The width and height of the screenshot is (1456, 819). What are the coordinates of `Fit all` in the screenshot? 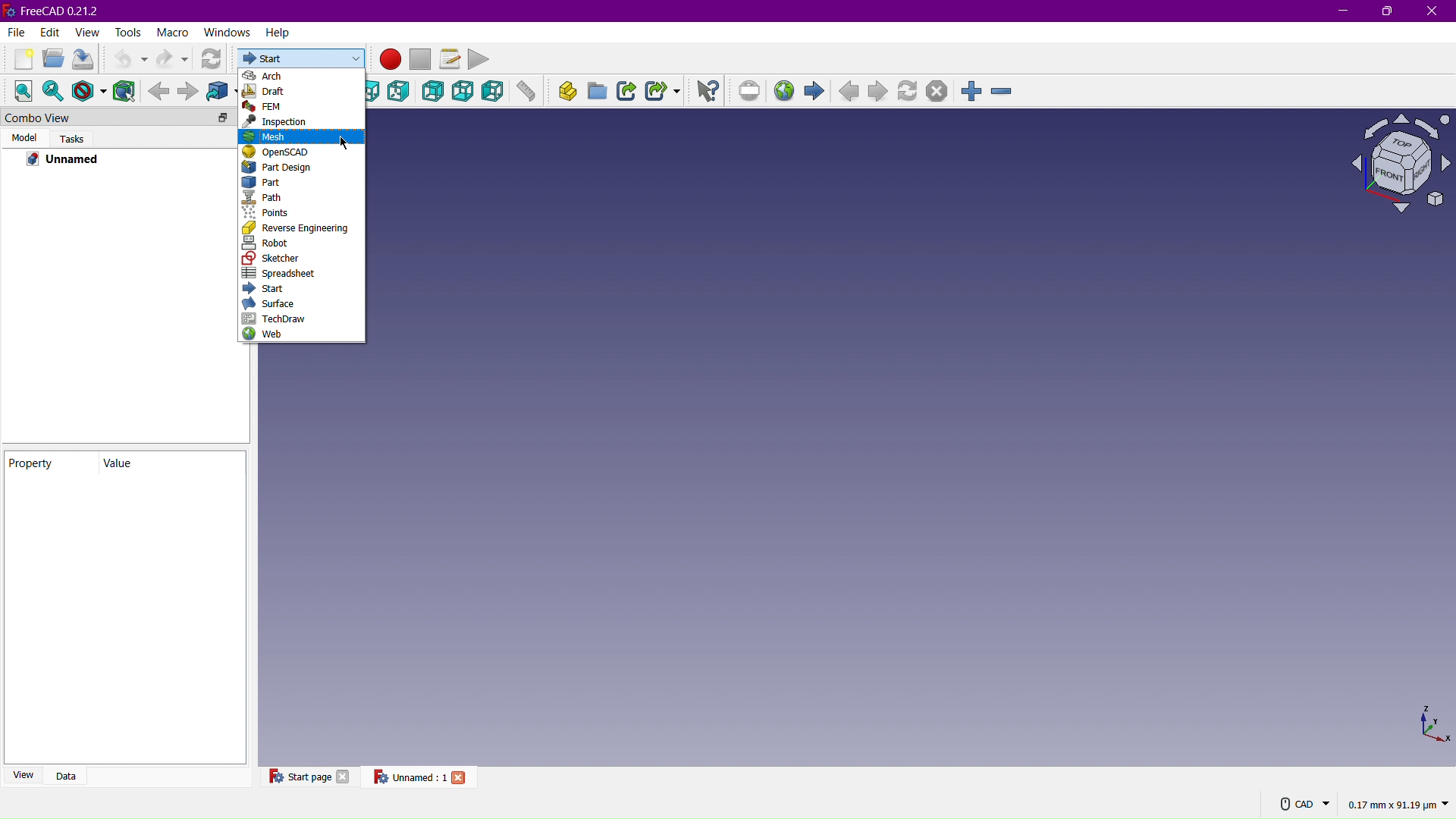 It's located at (21, 90).